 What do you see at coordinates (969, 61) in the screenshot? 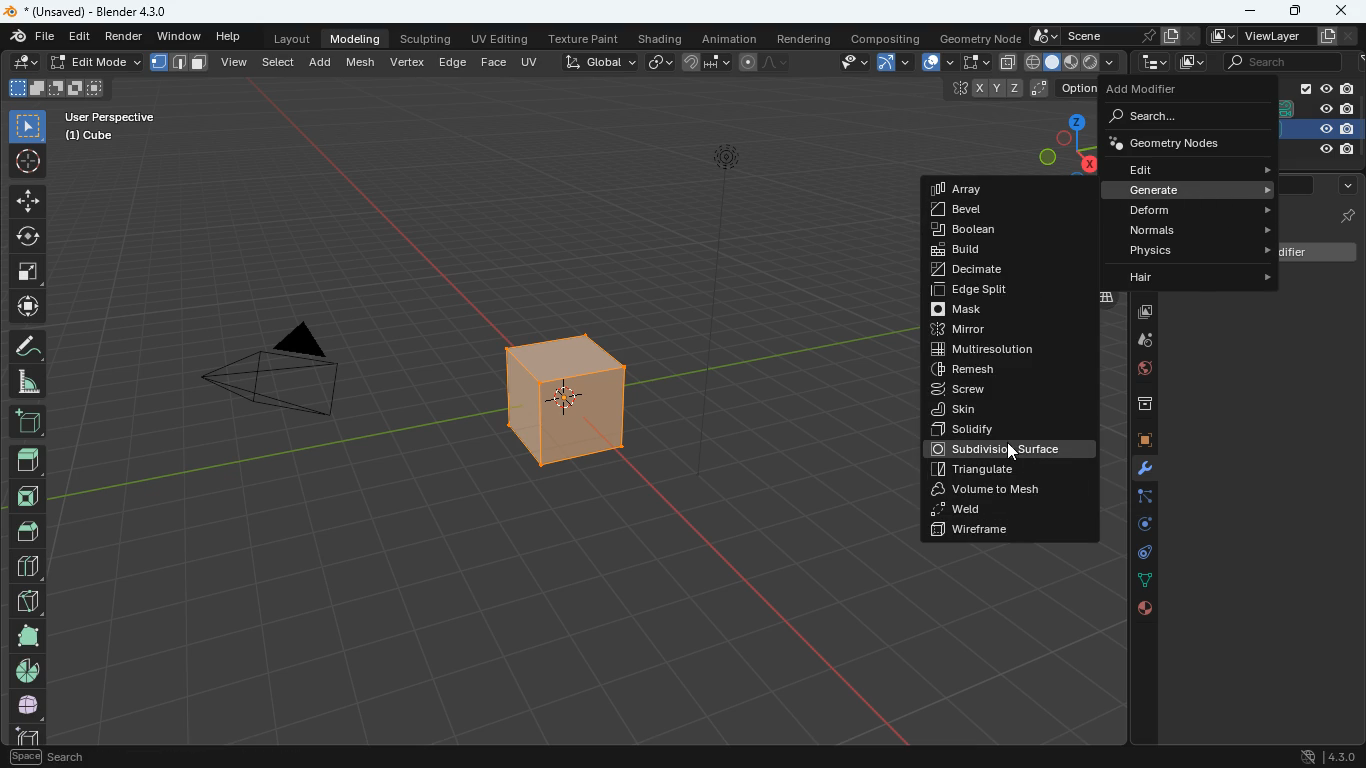
I see `fullscreen` at bounding box center [969, 61].